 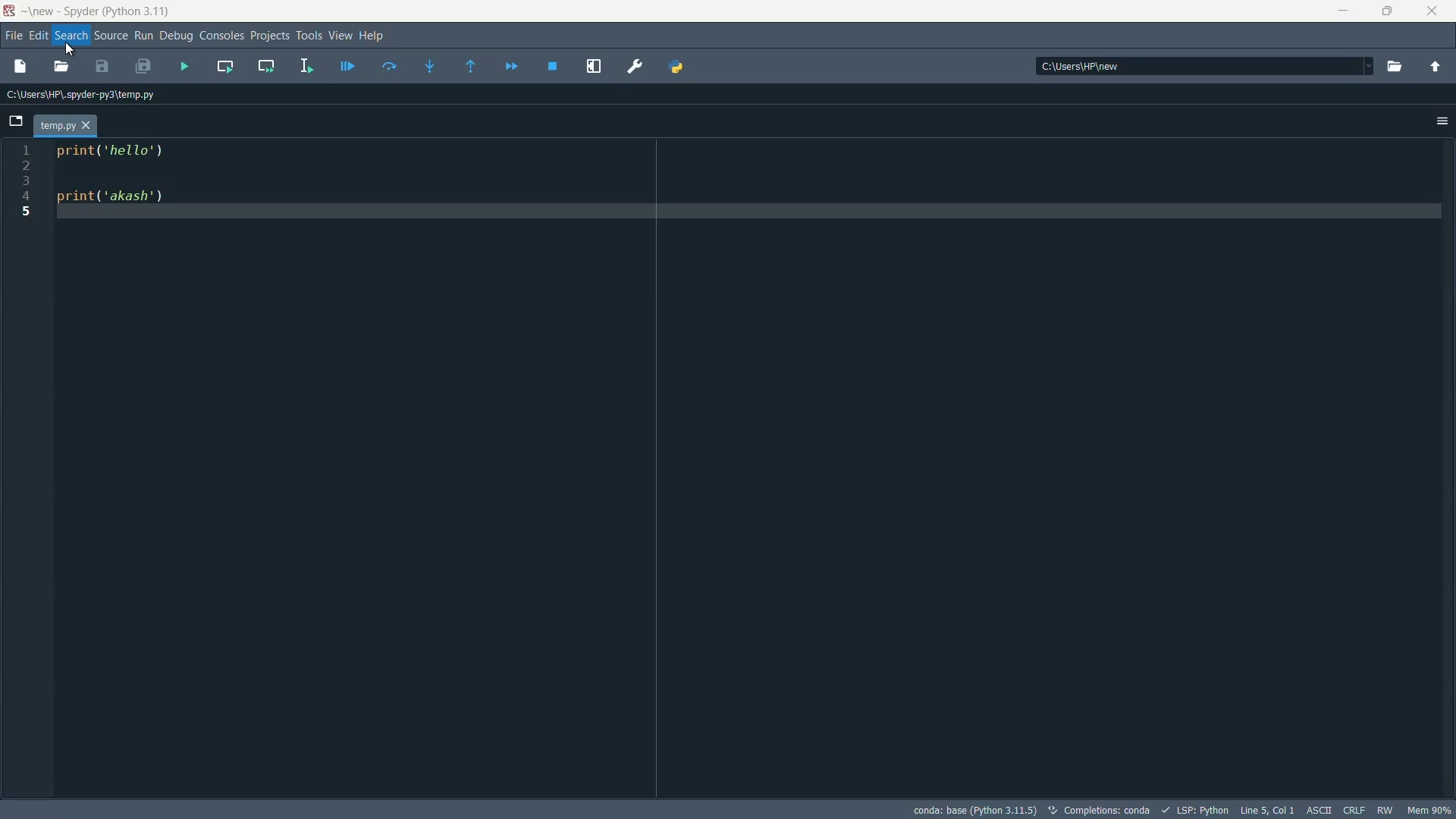 I want to click on python 3.11, so click(x=137, y=12).